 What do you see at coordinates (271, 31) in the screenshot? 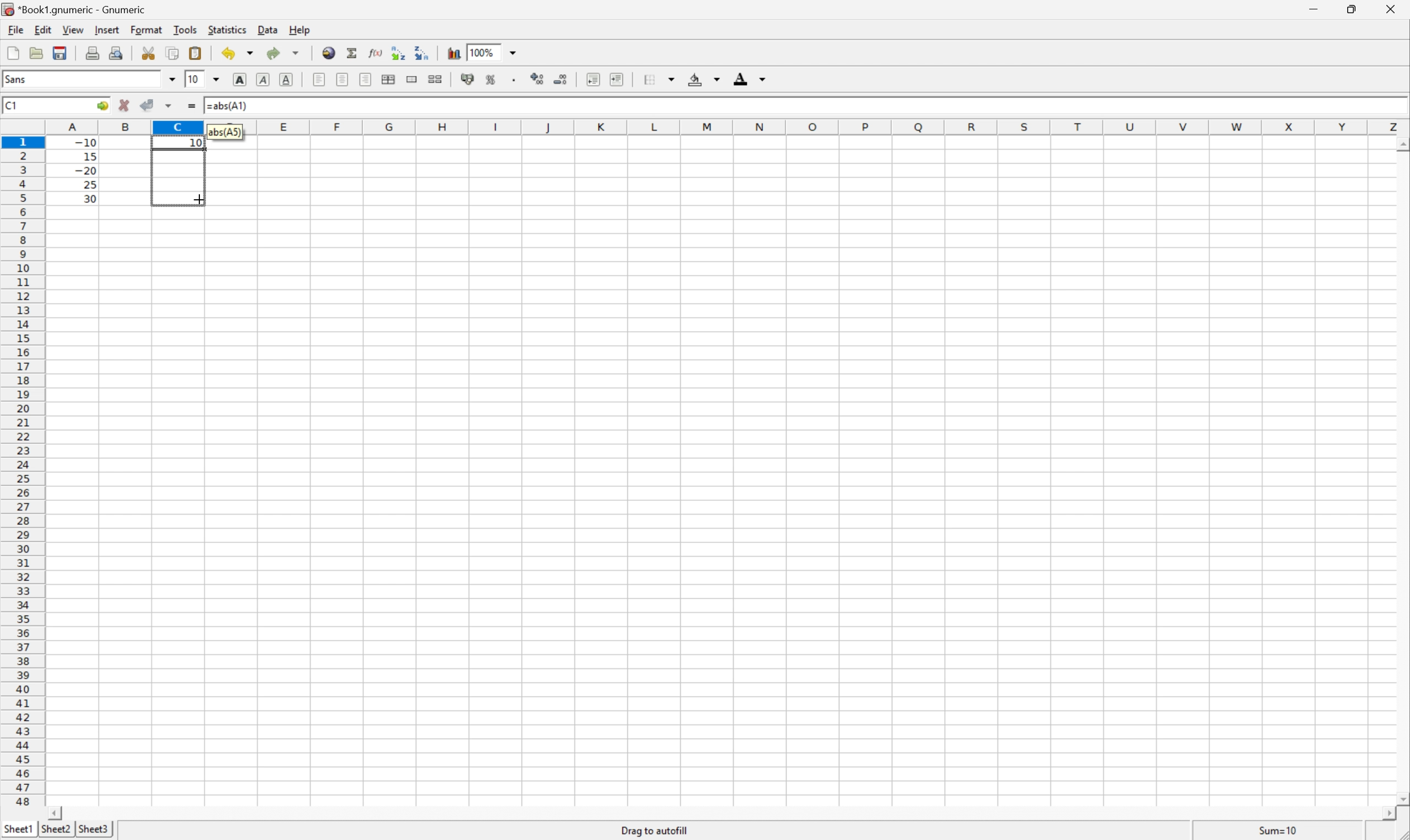
I see `Data` at bounding box center [271, 31].